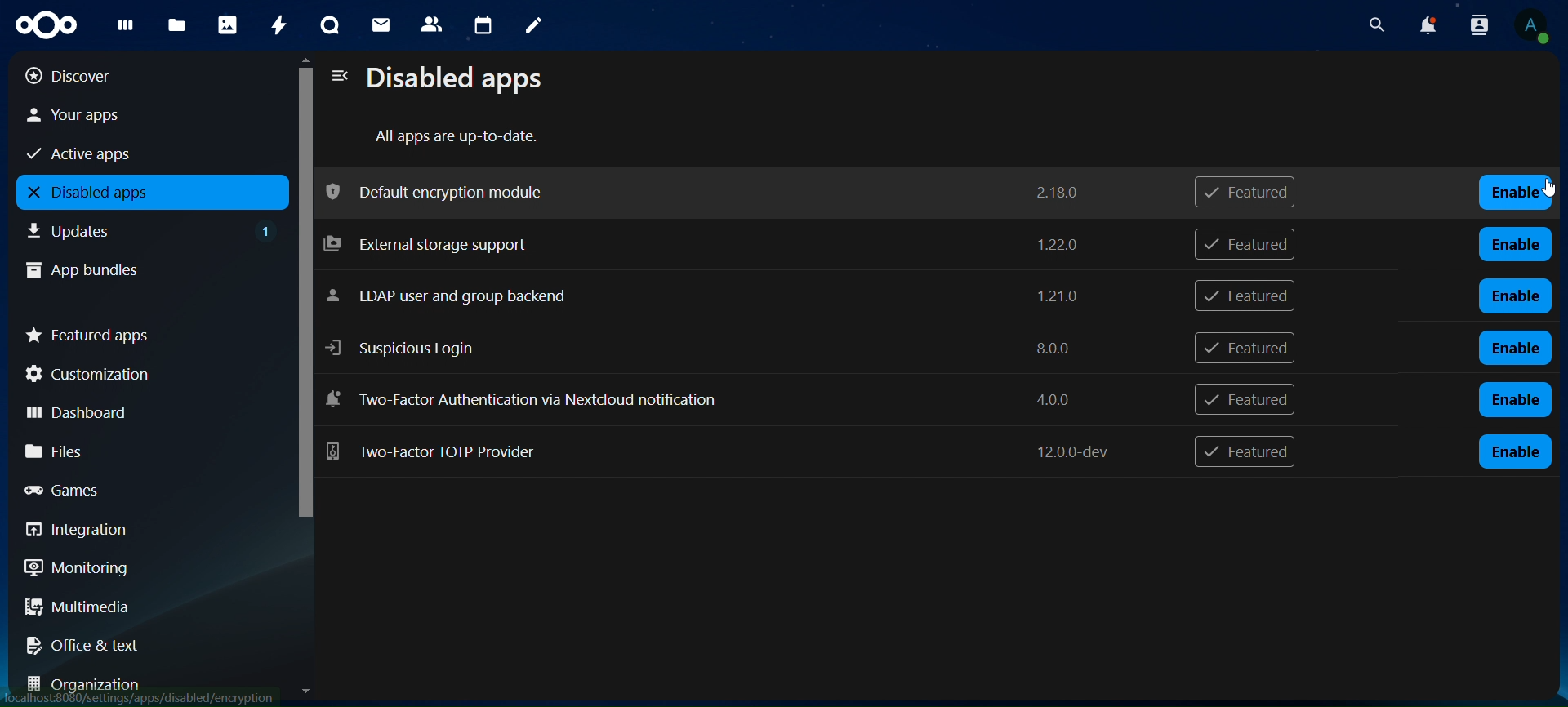 The height and width of the screenshot is (707, 1568). I want to click on dashboard, so click(122, 29).